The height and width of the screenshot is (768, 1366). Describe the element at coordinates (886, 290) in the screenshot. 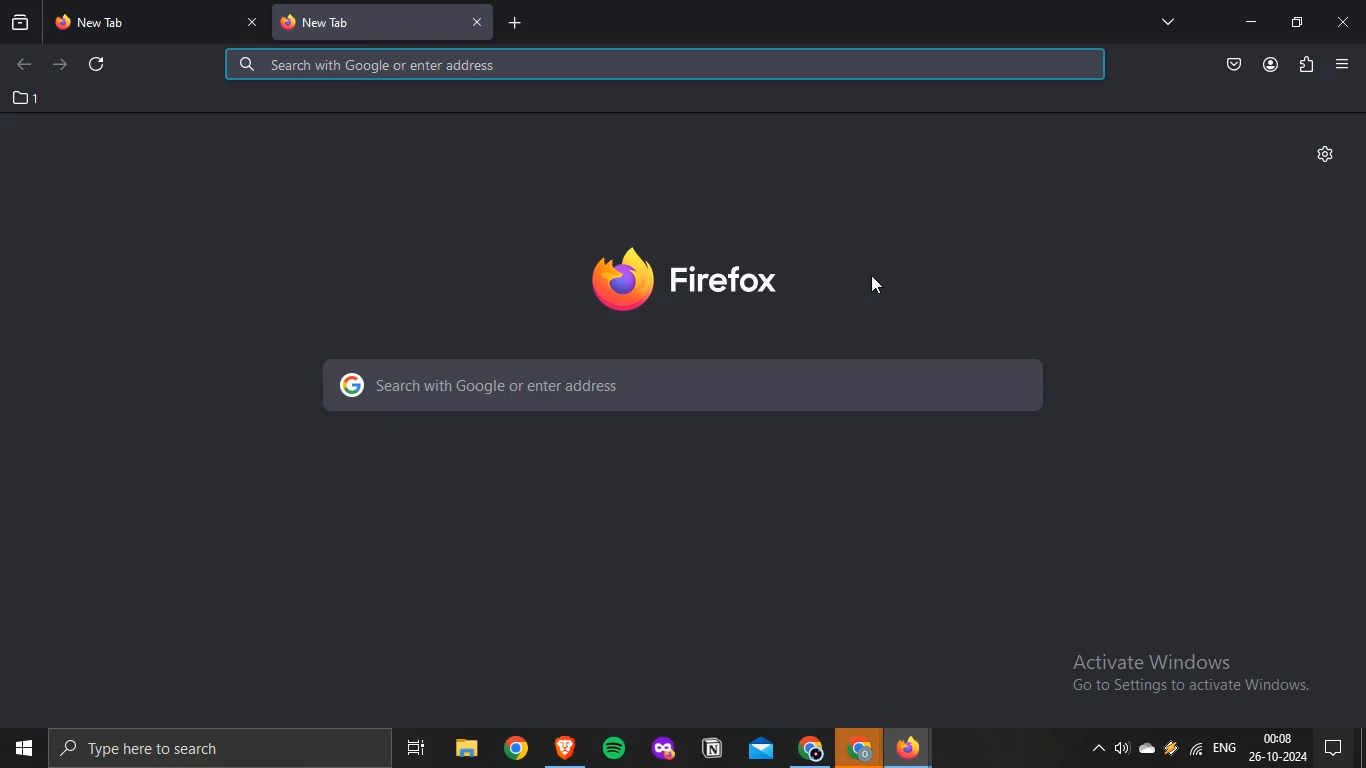

I see `pointer cursor` at that location.